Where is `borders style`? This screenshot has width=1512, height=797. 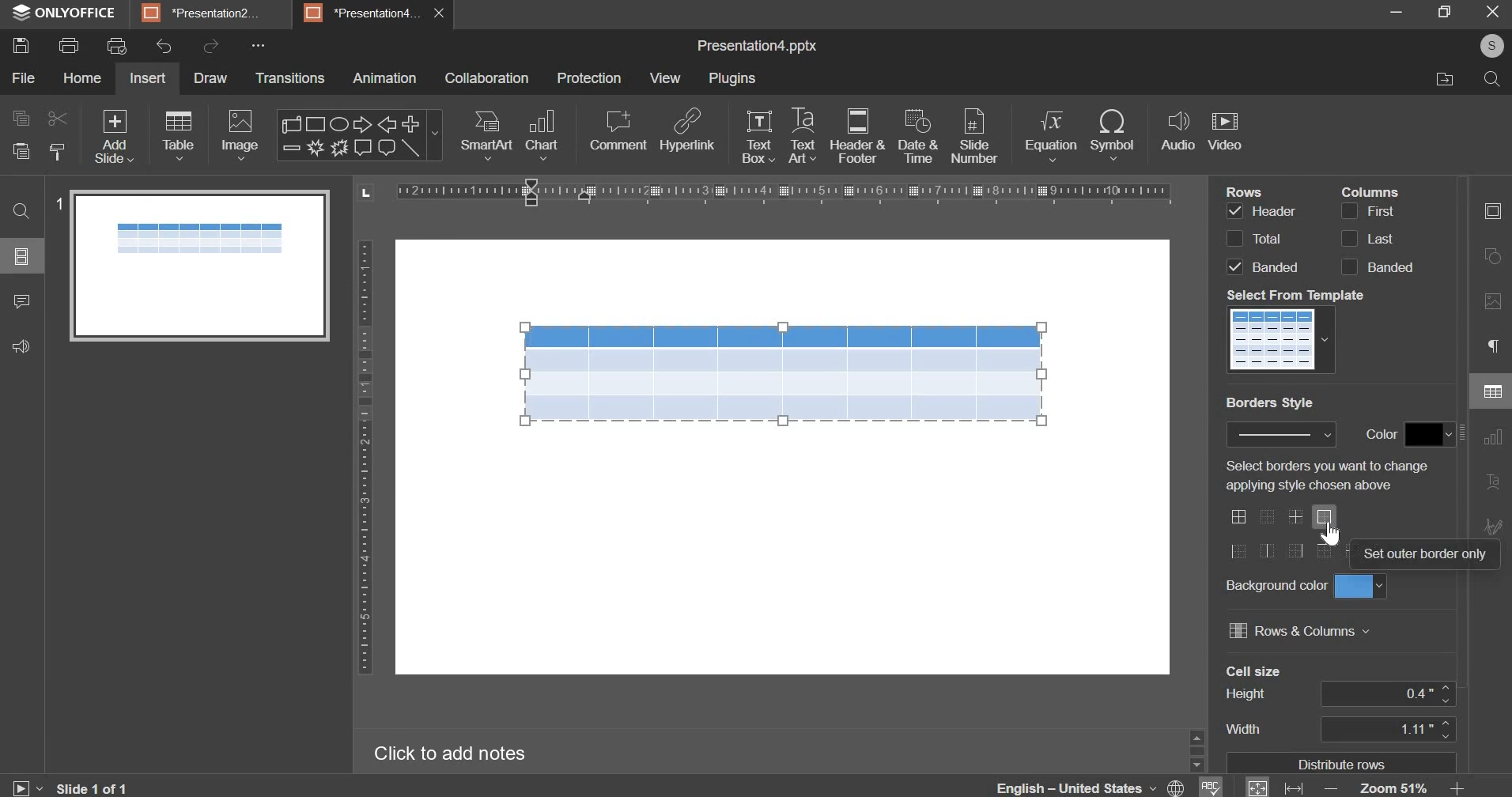
borders style is located at coordinates (1268, 402).